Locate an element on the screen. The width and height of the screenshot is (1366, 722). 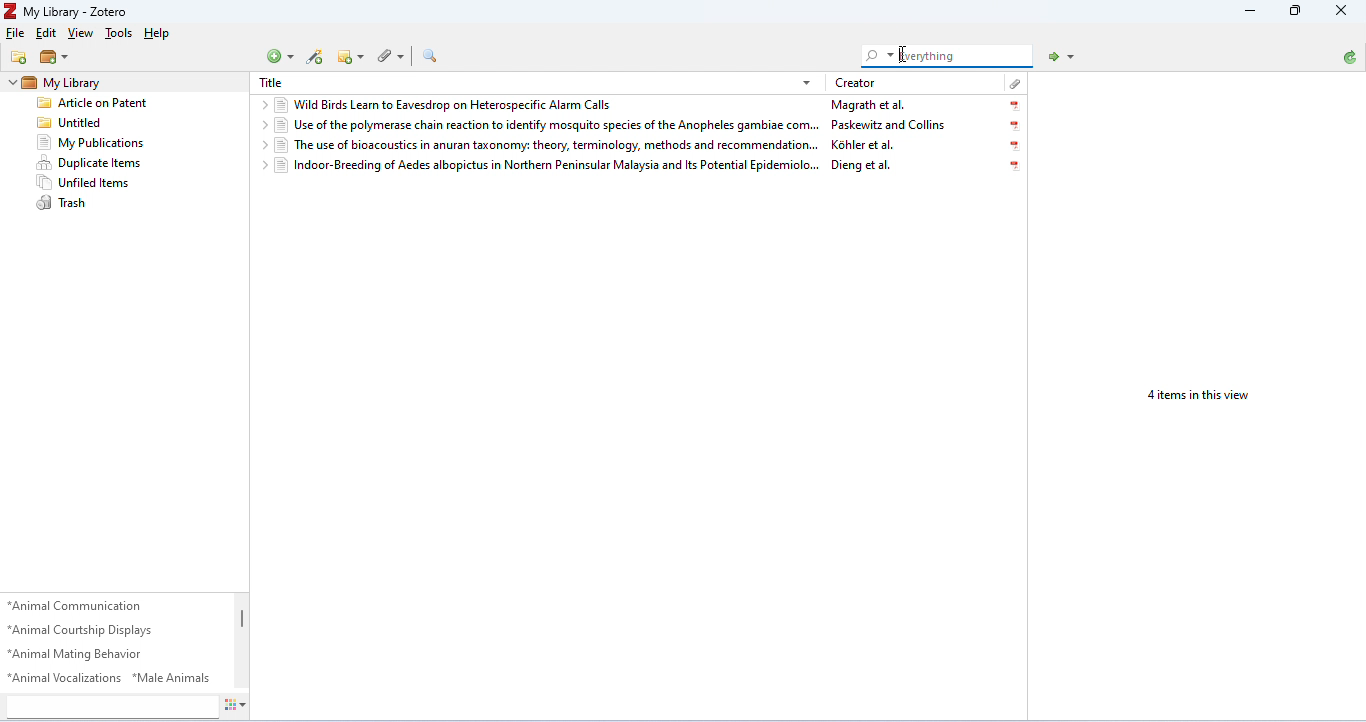
New Collection... is located at coordinates (20, 58).